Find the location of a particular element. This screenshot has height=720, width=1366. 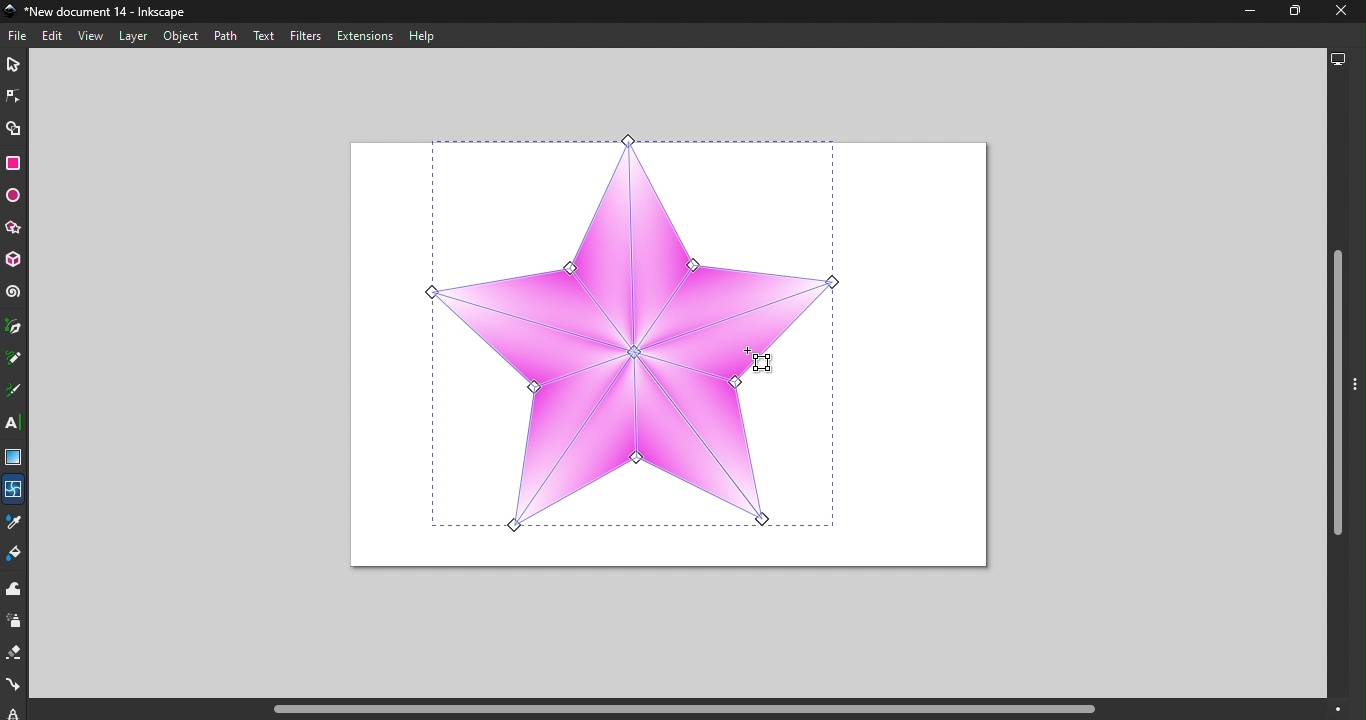

Cursor is located at coordinates (761, 360).